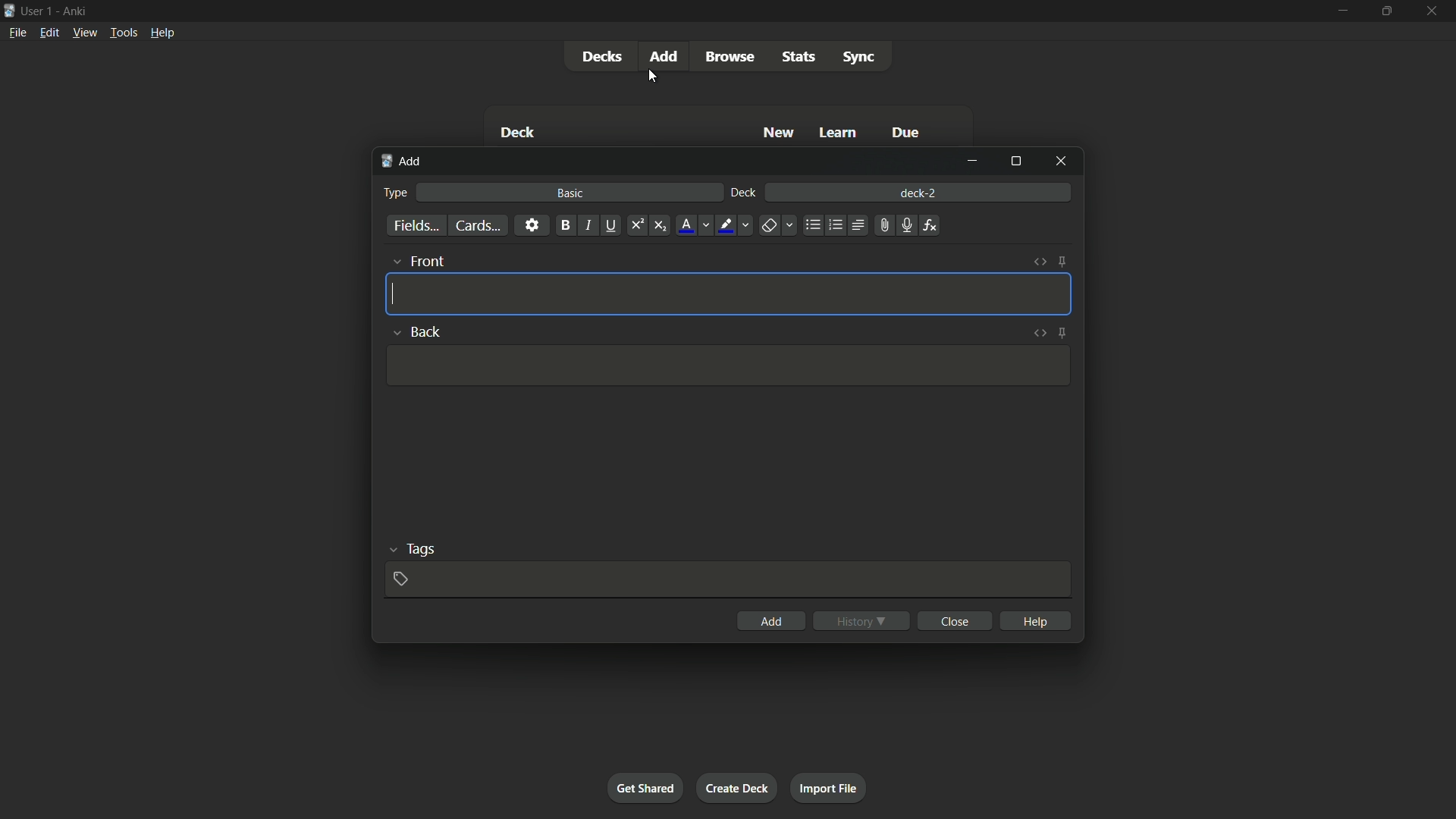  What do you see at coordinates (417, 226) in the screenshot?
I see `fields` at bounding box center [417, 226].